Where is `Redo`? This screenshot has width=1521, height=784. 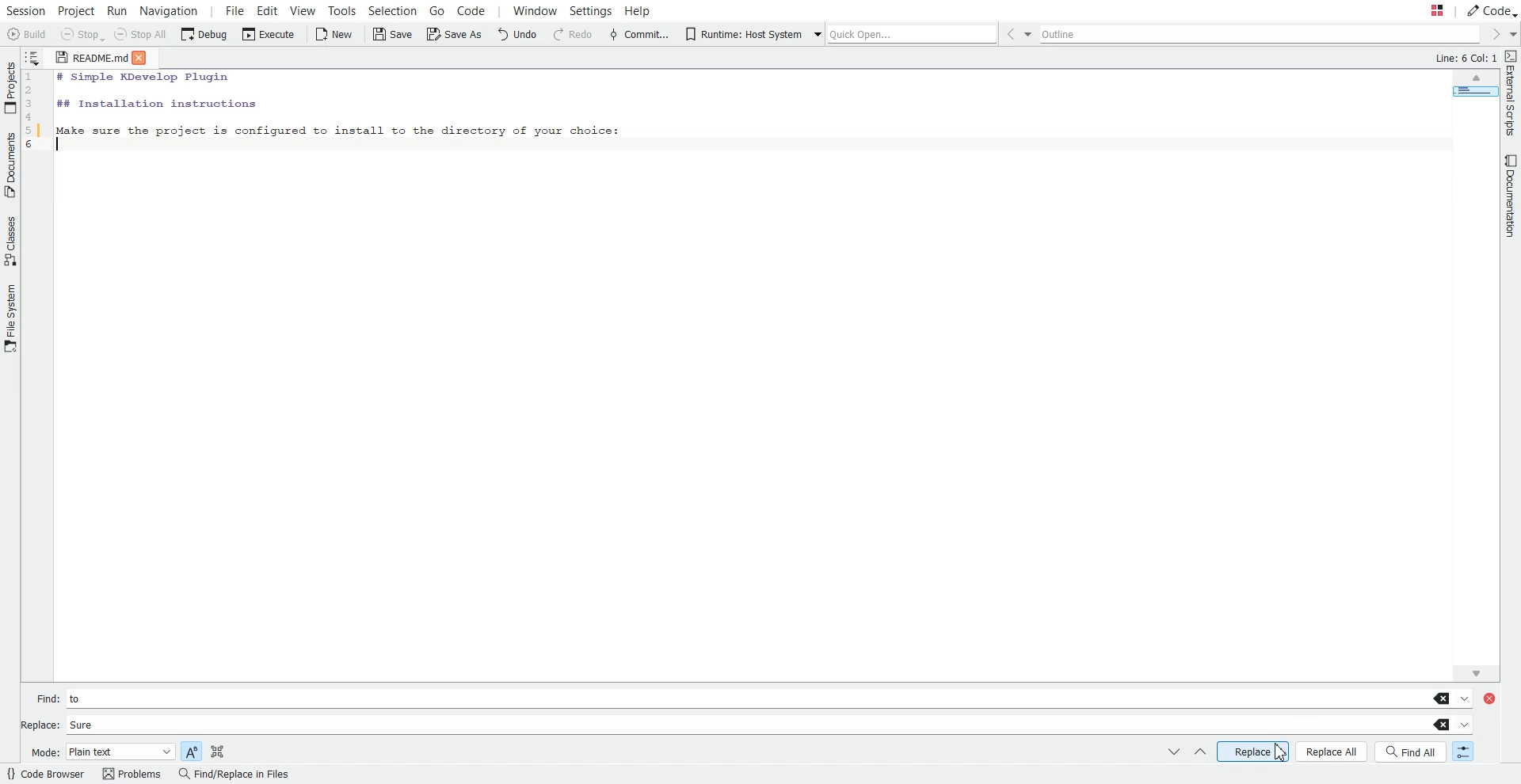
Redo is located at coordinates (573, 35).